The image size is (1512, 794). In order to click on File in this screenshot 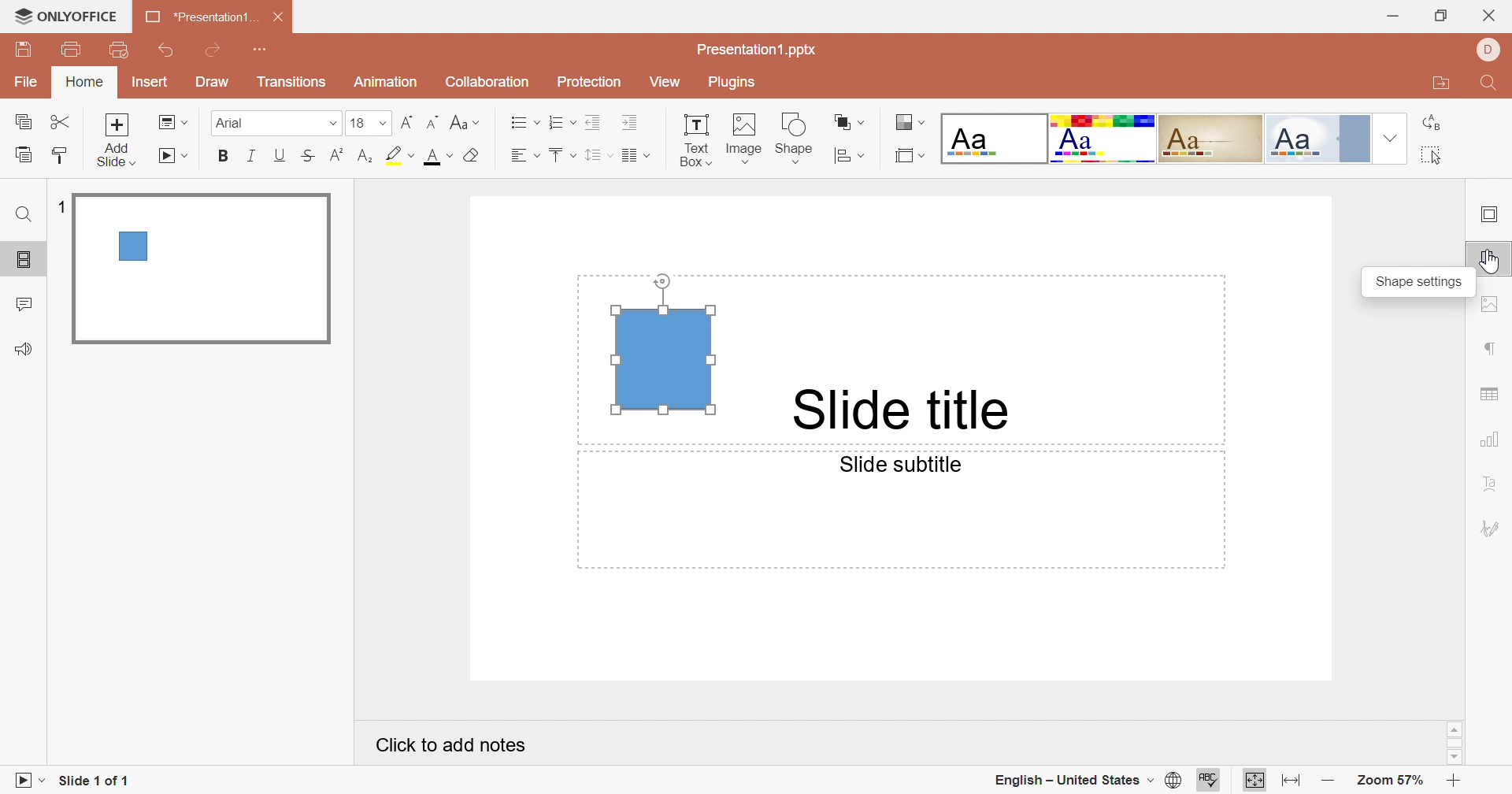, I will do `click(26, 83)`.